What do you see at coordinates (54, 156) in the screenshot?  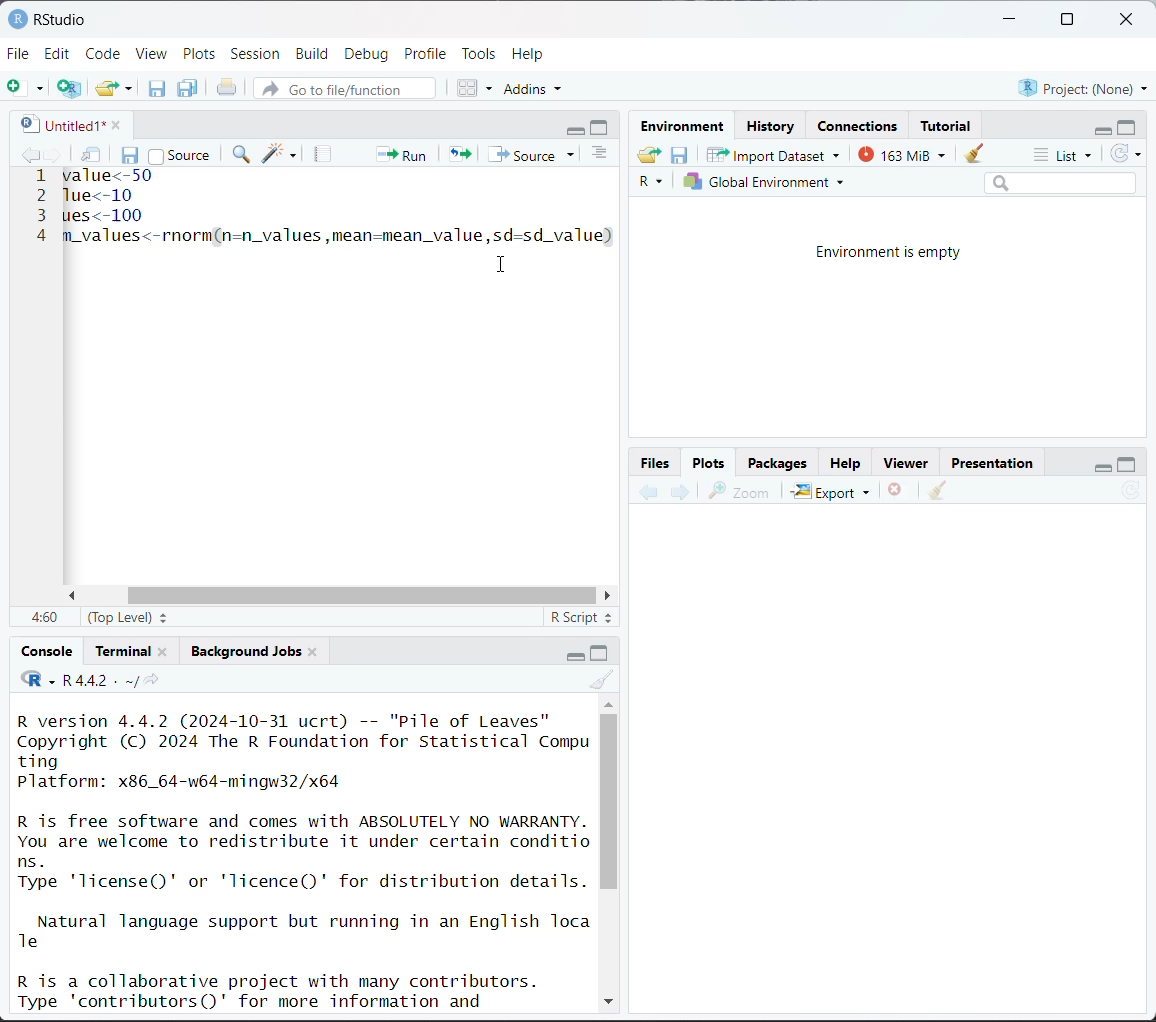 I see `go forward to next source location` at bounding box center [54, 156].